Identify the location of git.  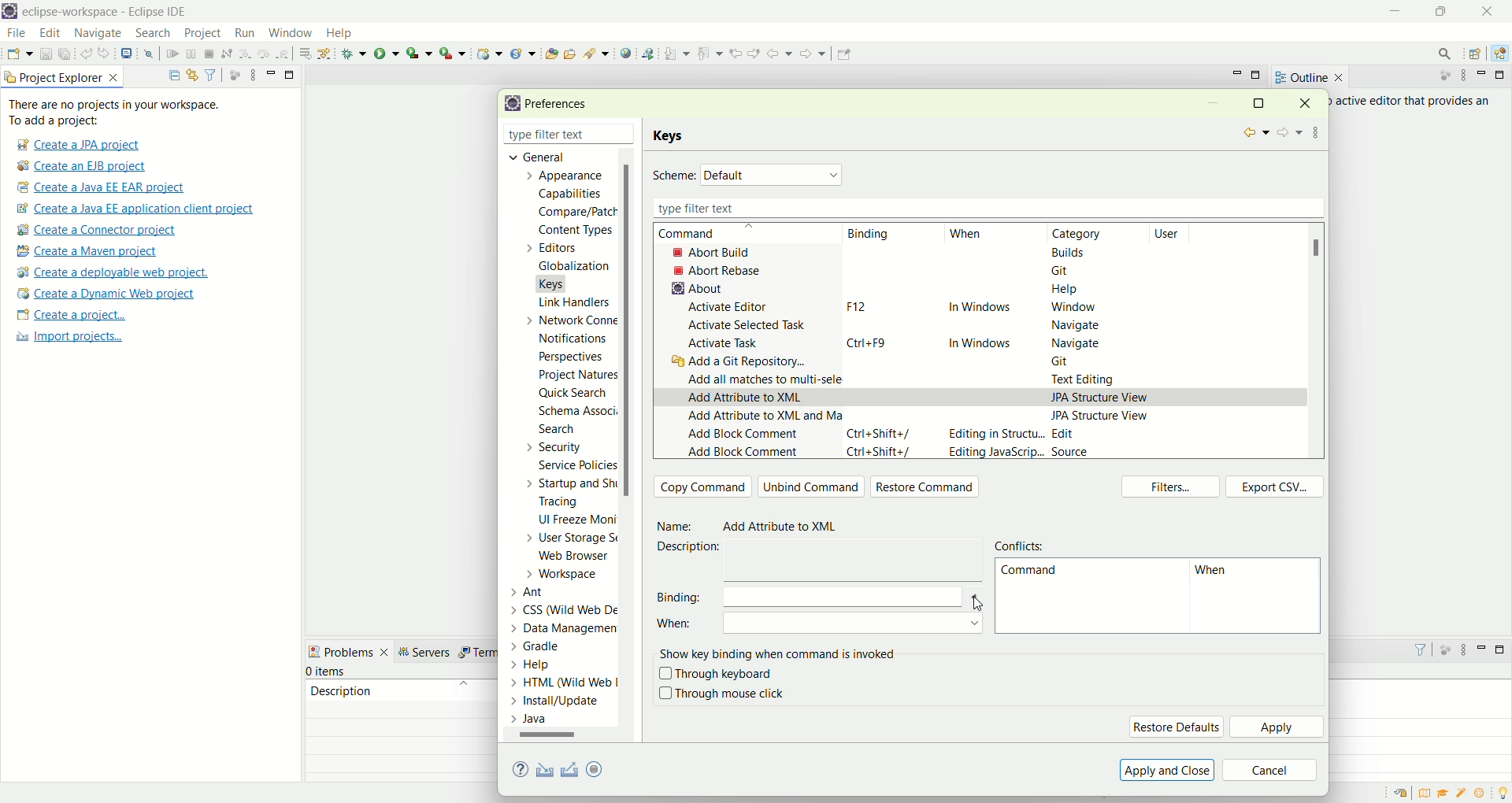
(1065, 270).